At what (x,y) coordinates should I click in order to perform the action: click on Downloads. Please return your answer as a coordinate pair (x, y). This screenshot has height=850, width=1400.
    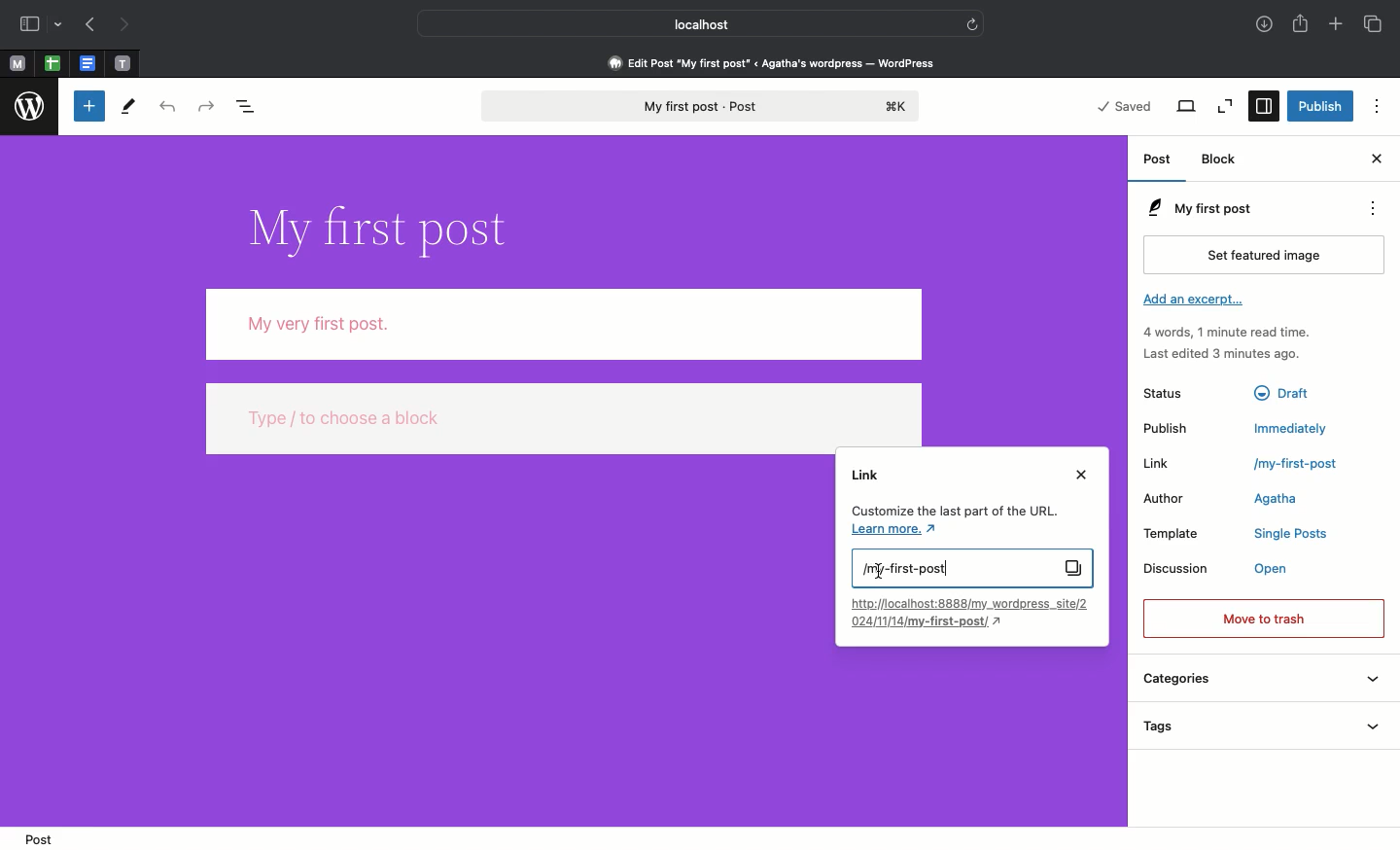
    Looking at the image, I should click on (1264, 24).